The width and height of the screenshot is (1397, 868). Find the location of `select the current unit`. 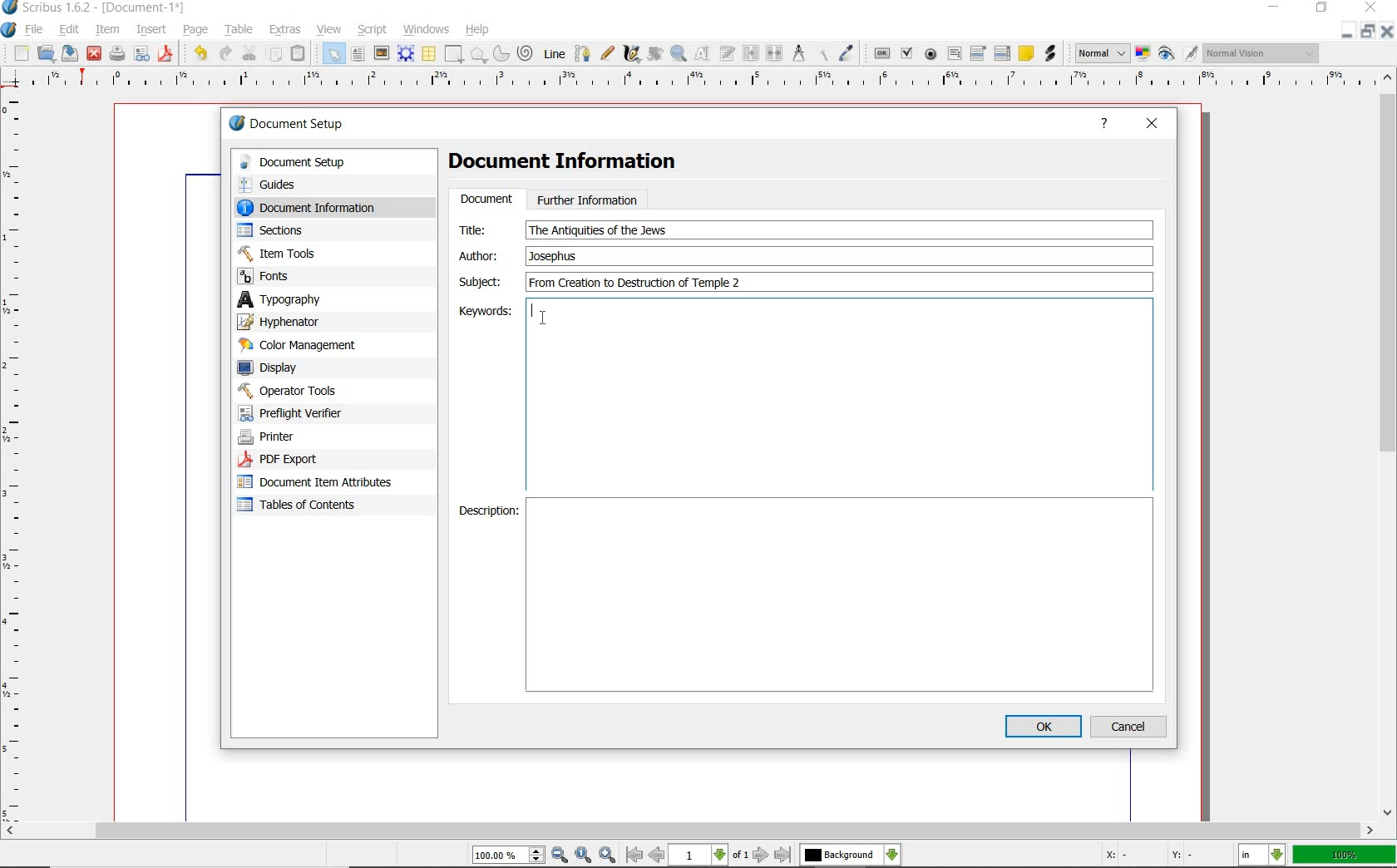

select the current unit is located at coordinates (1261, 855).